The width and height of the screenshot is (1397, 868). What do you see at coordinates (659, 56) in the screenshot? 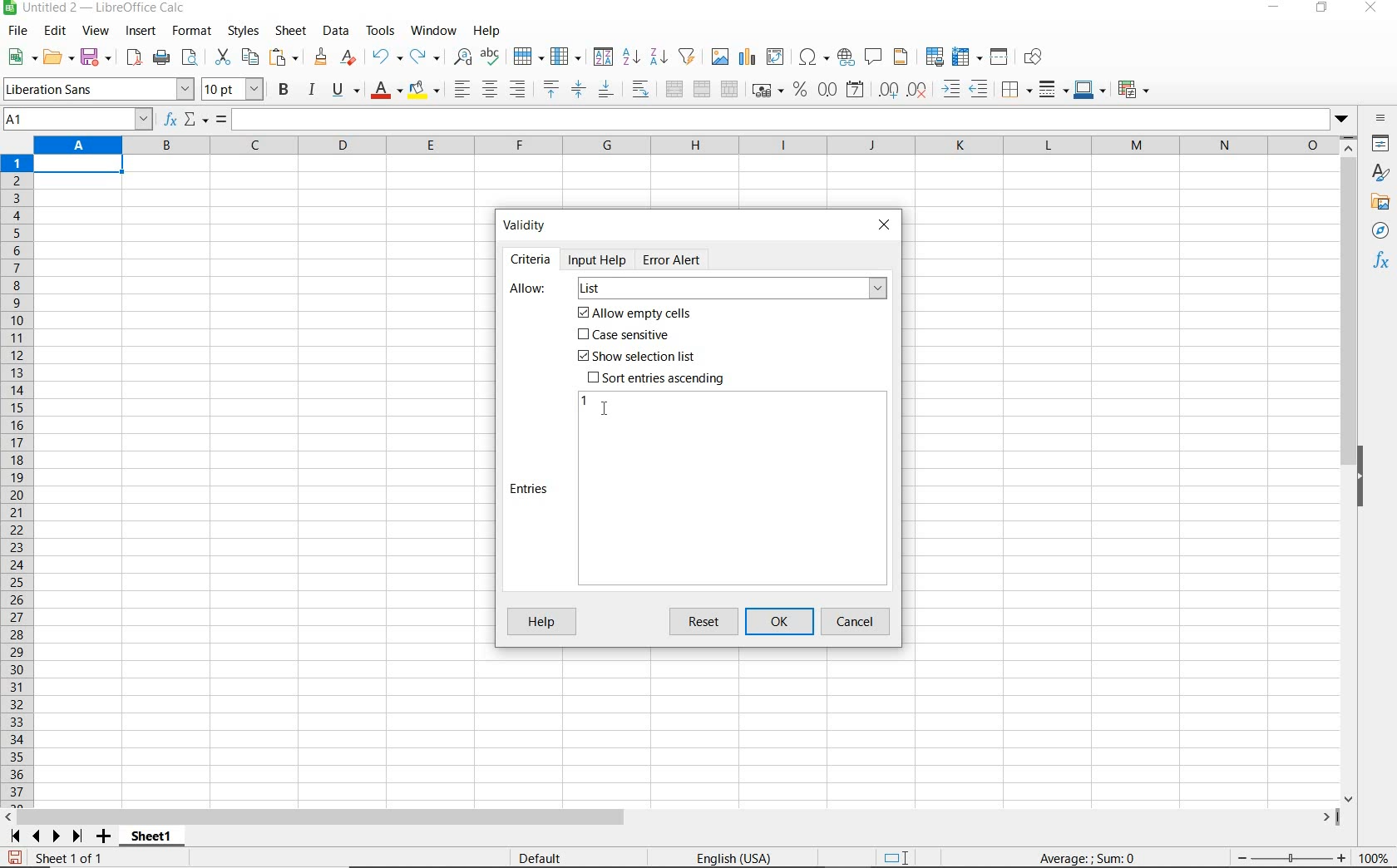
I see `sort descending` at bounding box center [659, 56].